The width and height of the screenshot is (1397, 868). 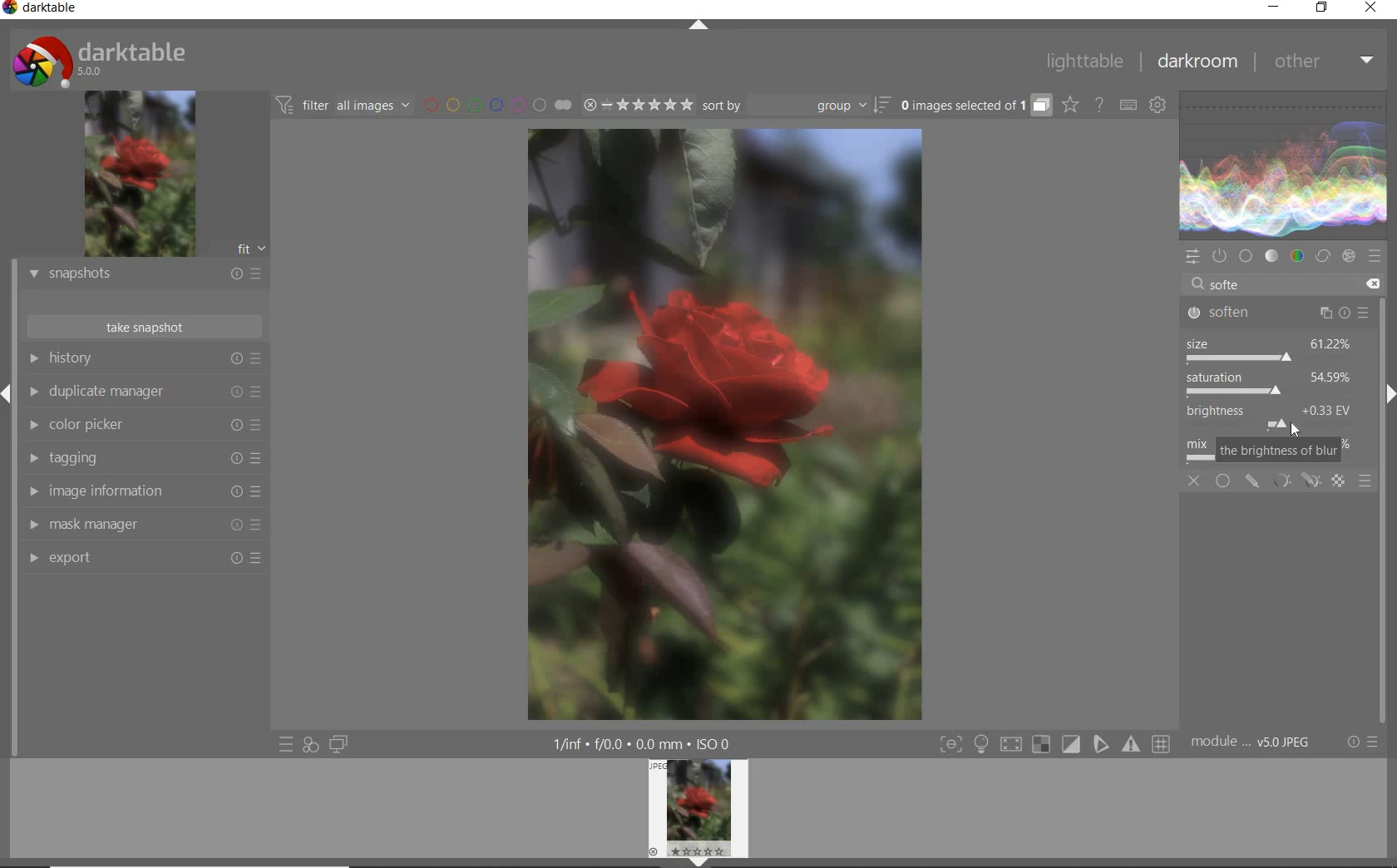 What do you see at coordinates (102, 59) in the screenshot?
I see `system logo` at bounding box center [102, 59].